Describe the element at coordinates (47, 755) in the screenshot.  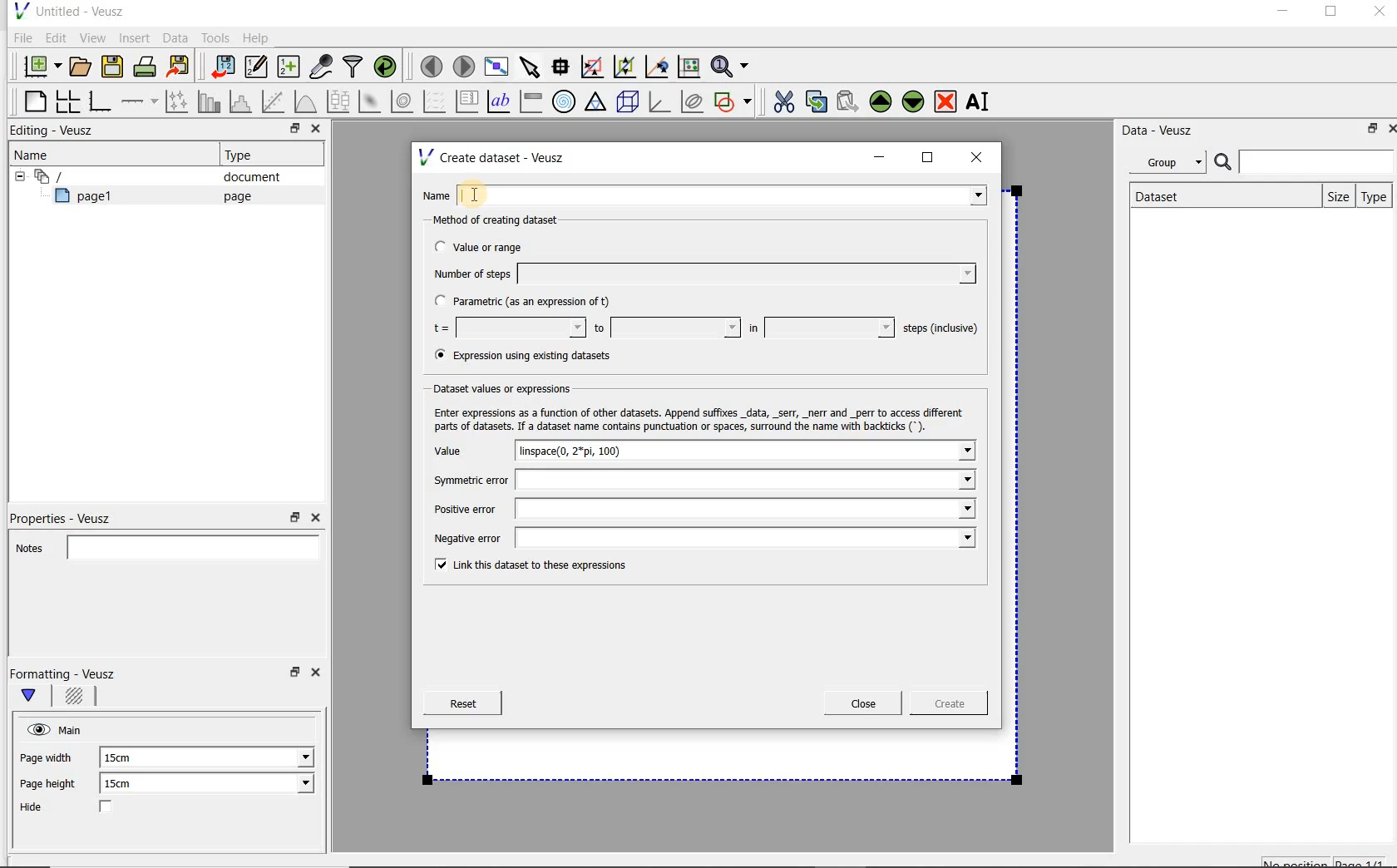
I see `Page width` at that location.